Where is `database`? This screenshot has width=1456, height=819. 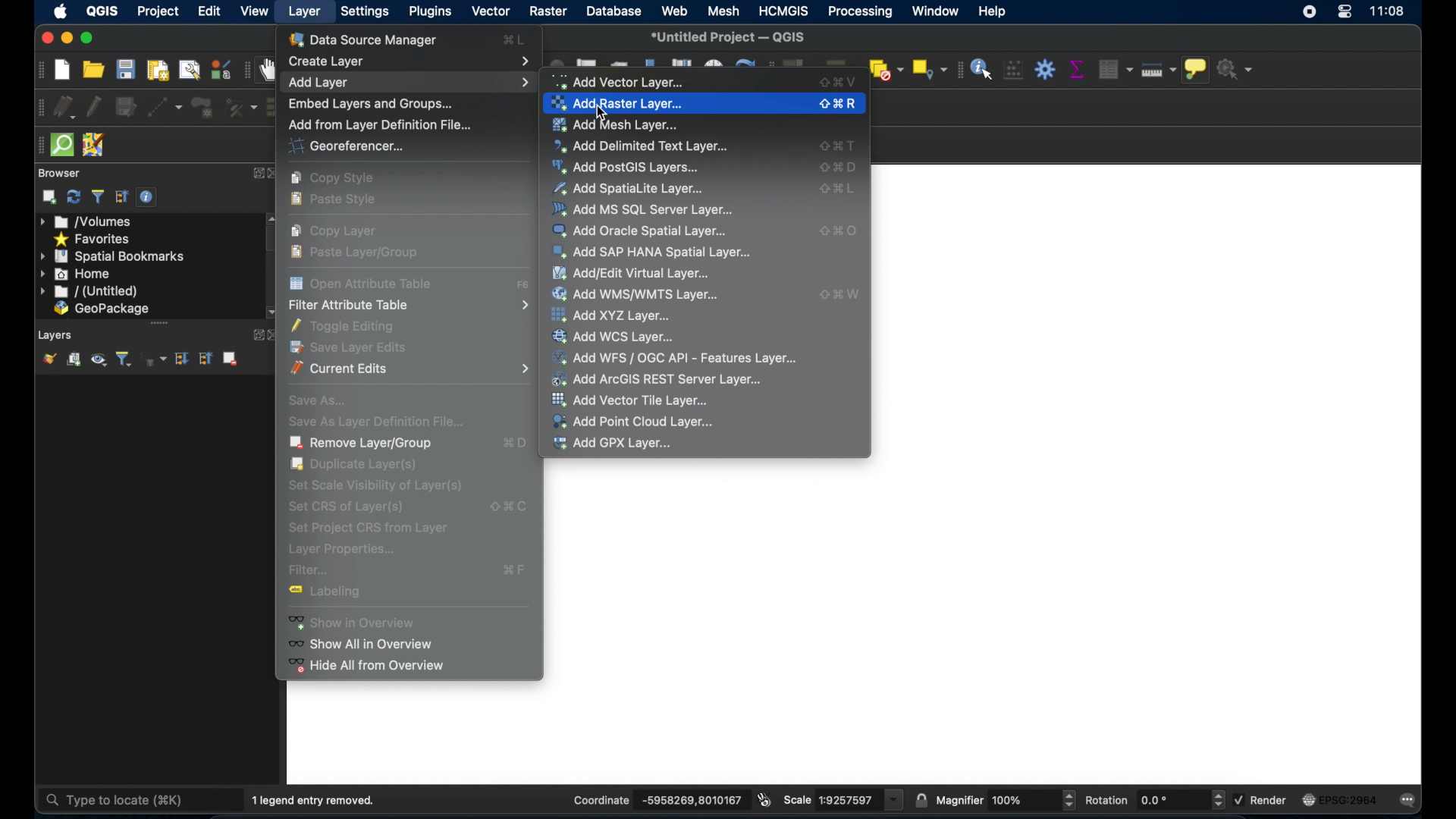 database is located at coordinates (616, 12).